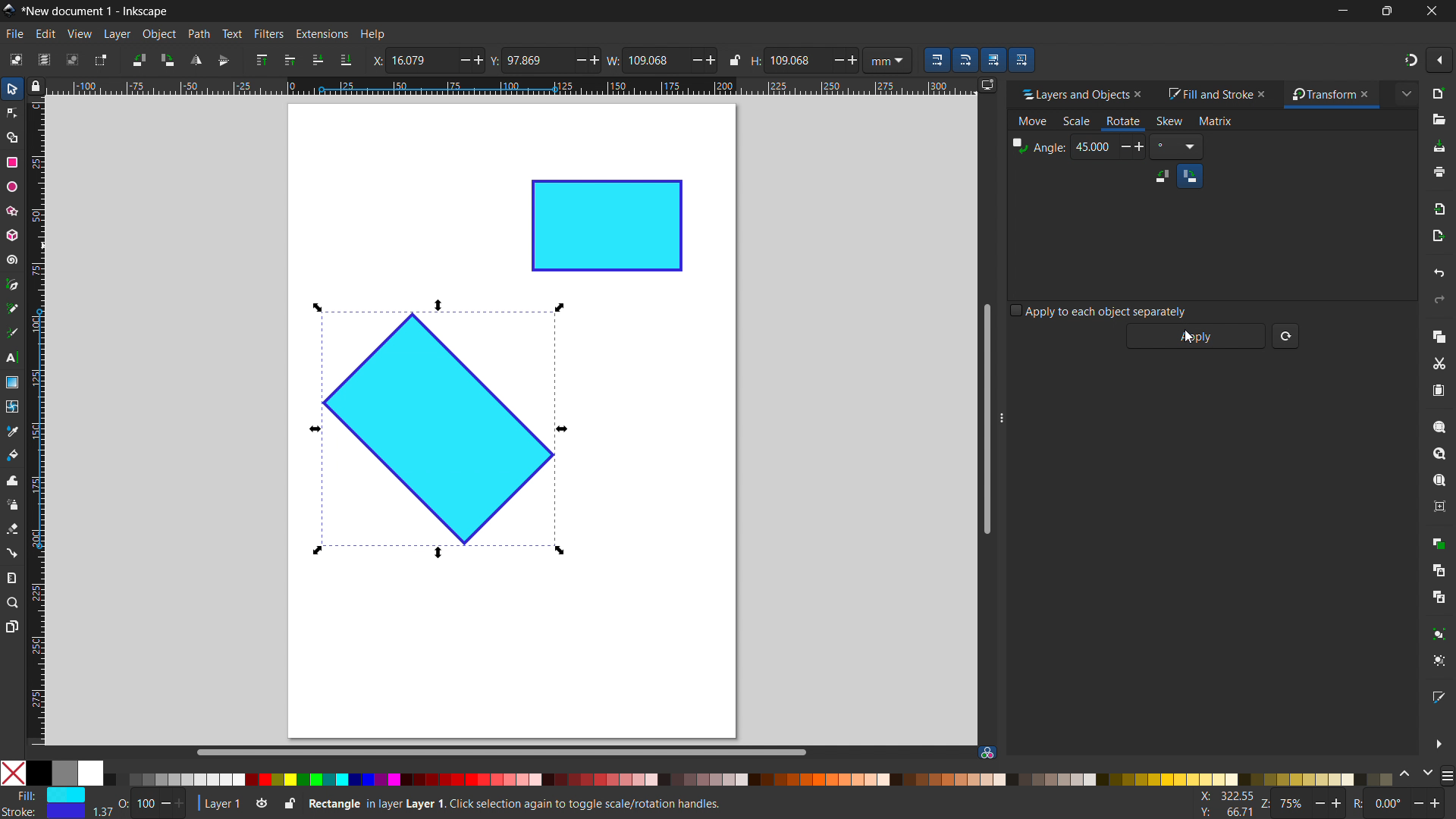 The image size is (1456, 819). What do you see at coordinates (321, 33) in the screenshot?
I see `extensions` at bounding box center [321, 33].